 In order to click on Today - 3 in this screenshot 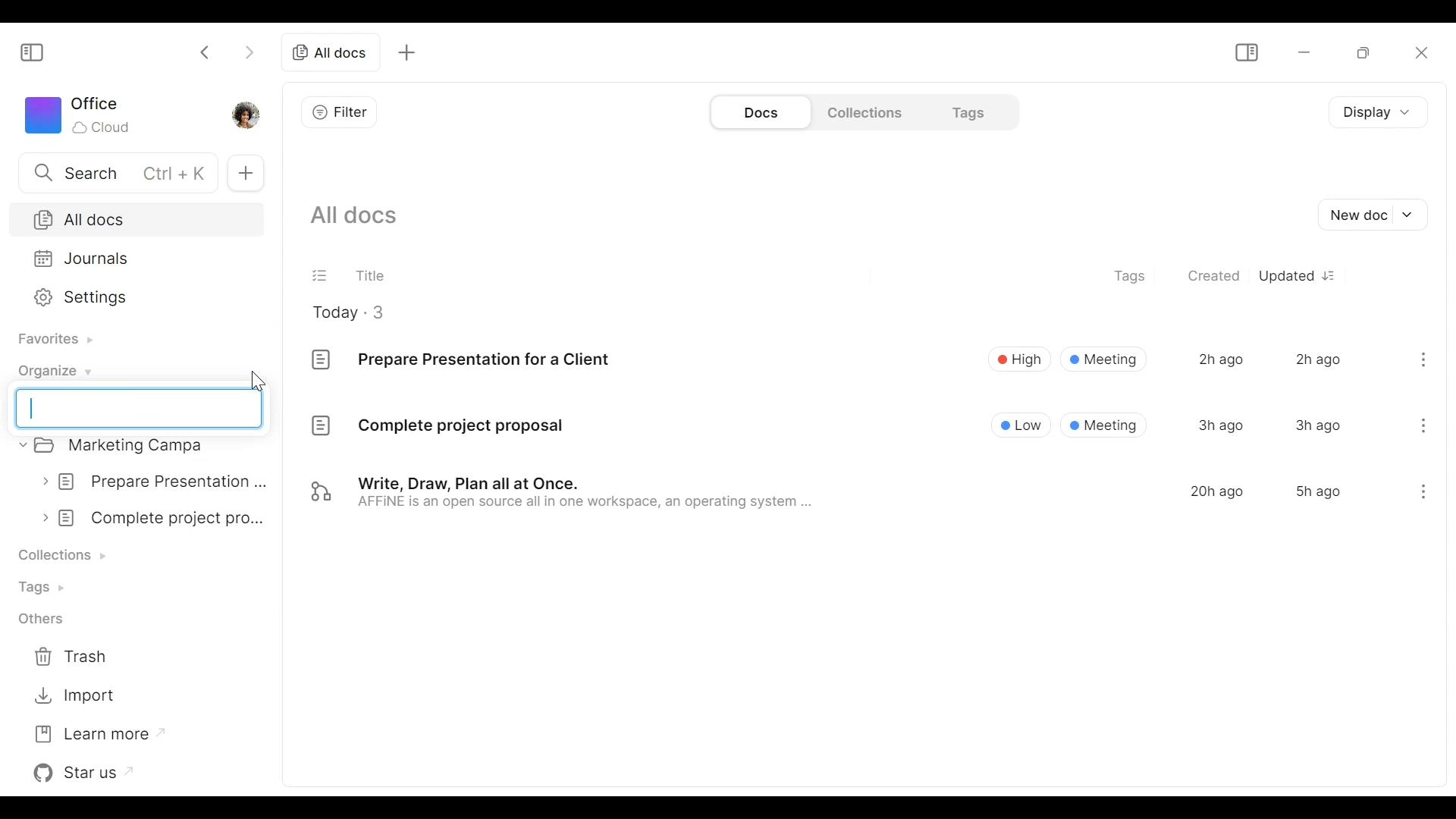, I will do `click(360, 312)`.